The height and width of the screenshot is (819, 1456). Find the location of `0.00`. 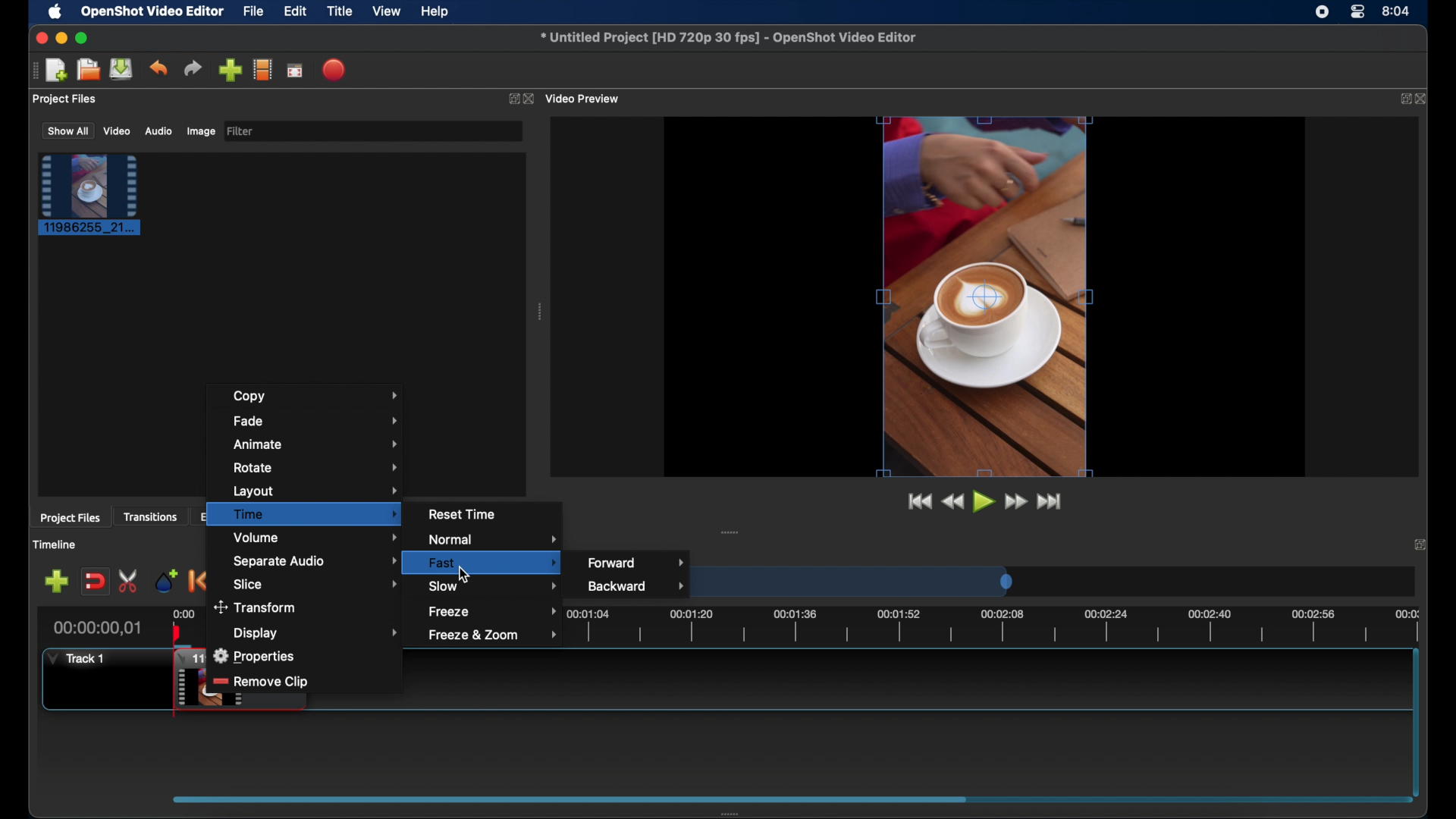

0.00 is located at coordinates (184, 612).